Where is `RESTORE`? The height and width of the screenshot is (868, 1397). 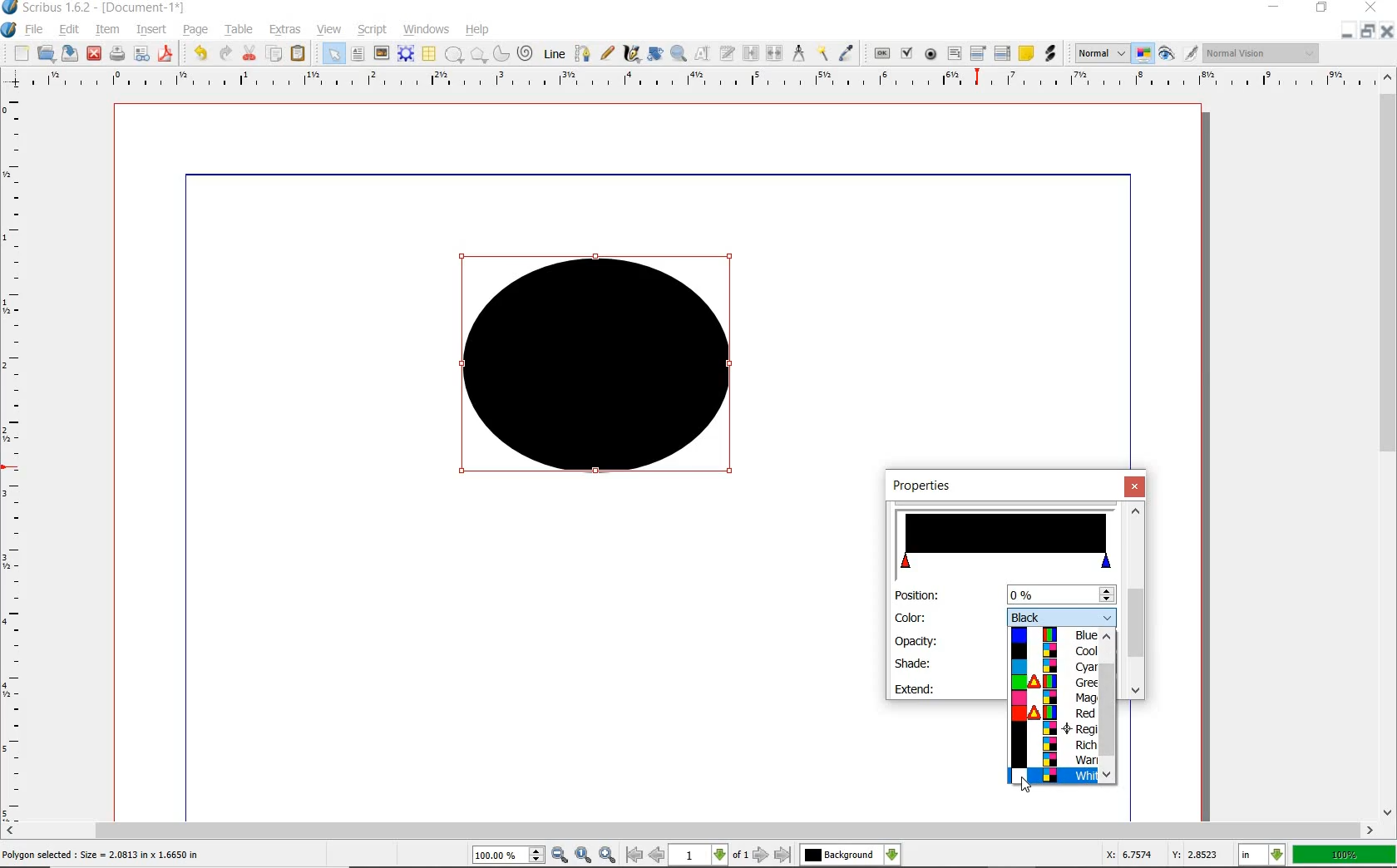 RESTORE is located at coordinates (1368, 32).